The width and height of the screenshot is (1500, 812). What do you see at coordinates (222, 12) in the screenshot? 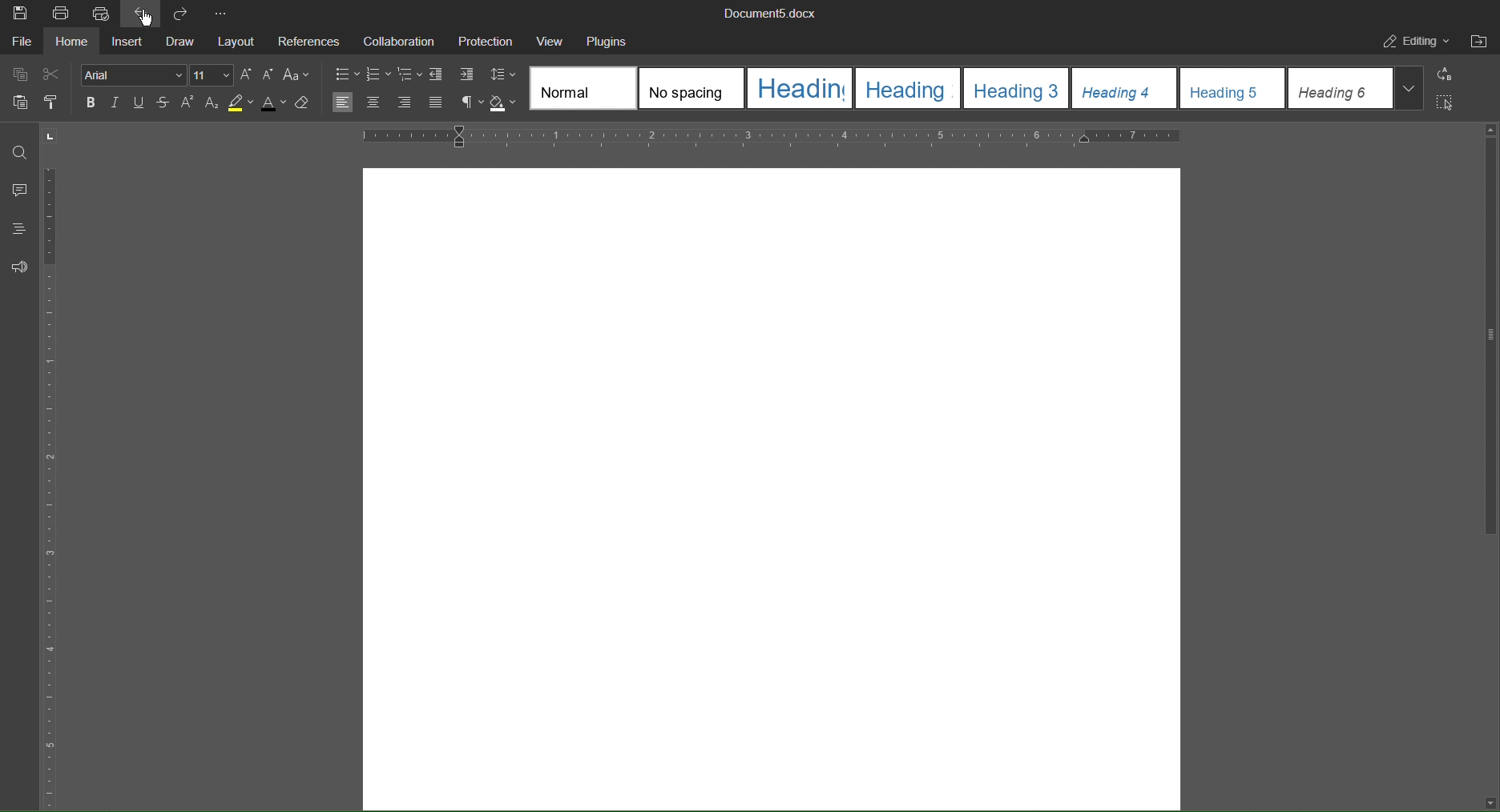
I see `More` at bounding box center [222, 12].